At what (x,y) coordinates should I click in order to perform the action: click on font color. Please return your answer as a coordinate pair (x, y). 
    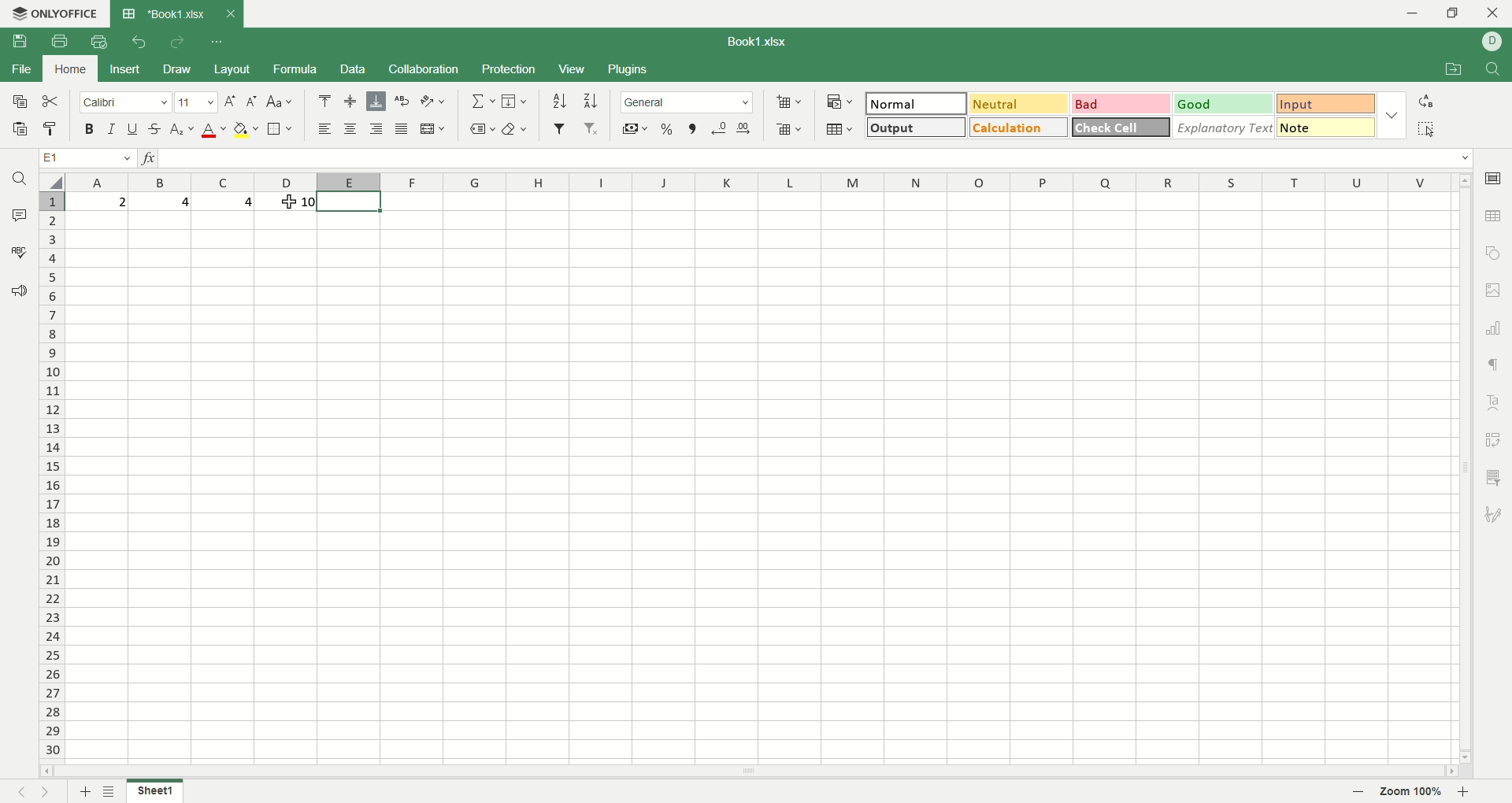
    Looking at the image, I should click on (212, 131).